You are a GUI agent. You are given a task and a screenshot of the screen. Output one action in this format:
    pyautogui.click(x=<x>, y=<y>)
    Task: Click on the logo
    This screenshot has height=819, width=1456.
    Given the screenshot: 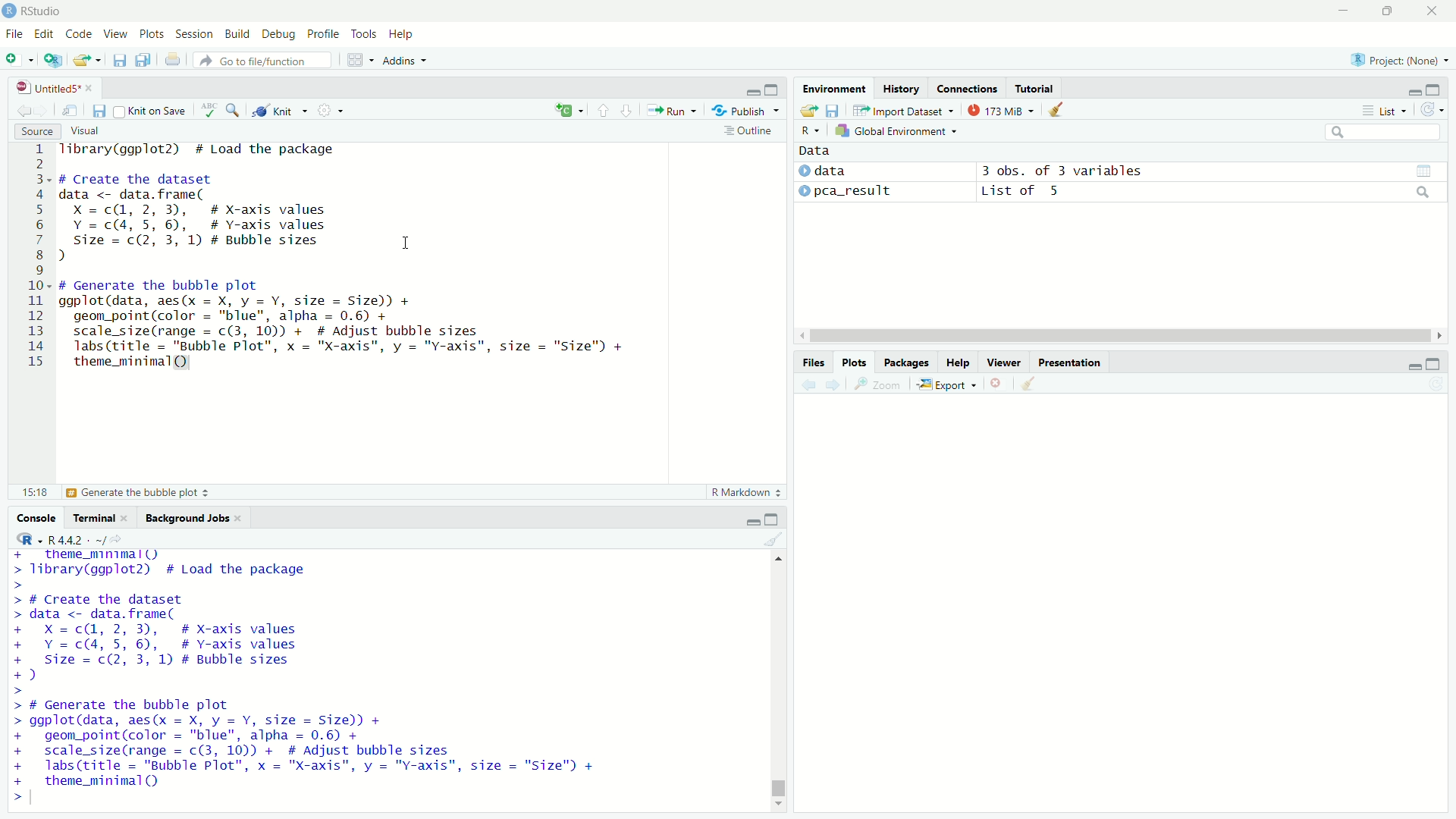 What is the action you would take?
    pyautogui.click(x=10, y=11)
    